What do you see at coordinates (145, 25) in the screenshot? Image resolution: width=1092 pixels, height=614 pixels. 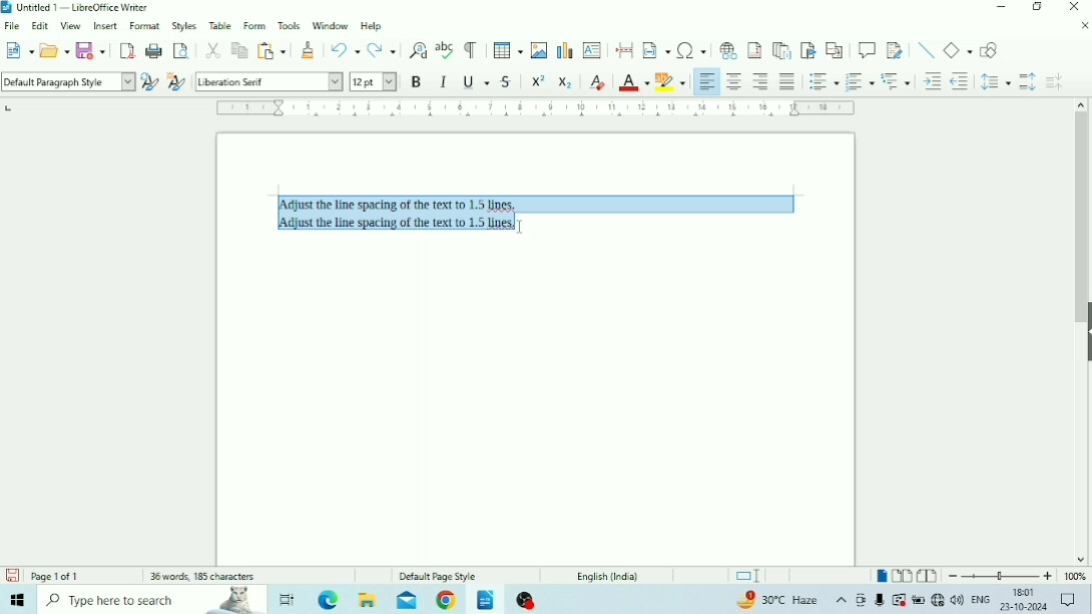 I see `Format` at bounding box center [145, 25].